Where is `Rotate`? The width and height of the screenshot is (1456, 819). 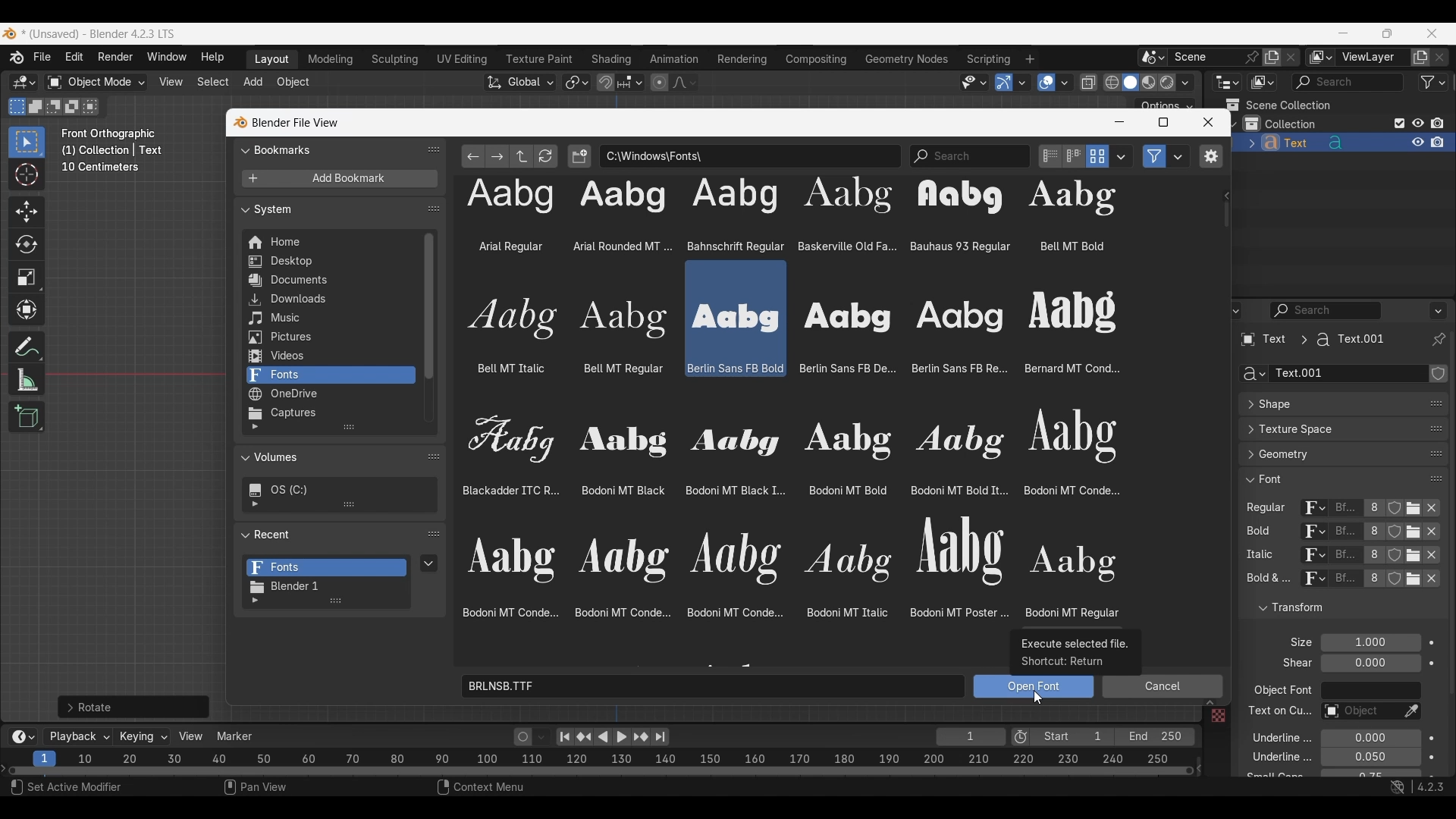
Rotate is located at coordinates (27, 244).